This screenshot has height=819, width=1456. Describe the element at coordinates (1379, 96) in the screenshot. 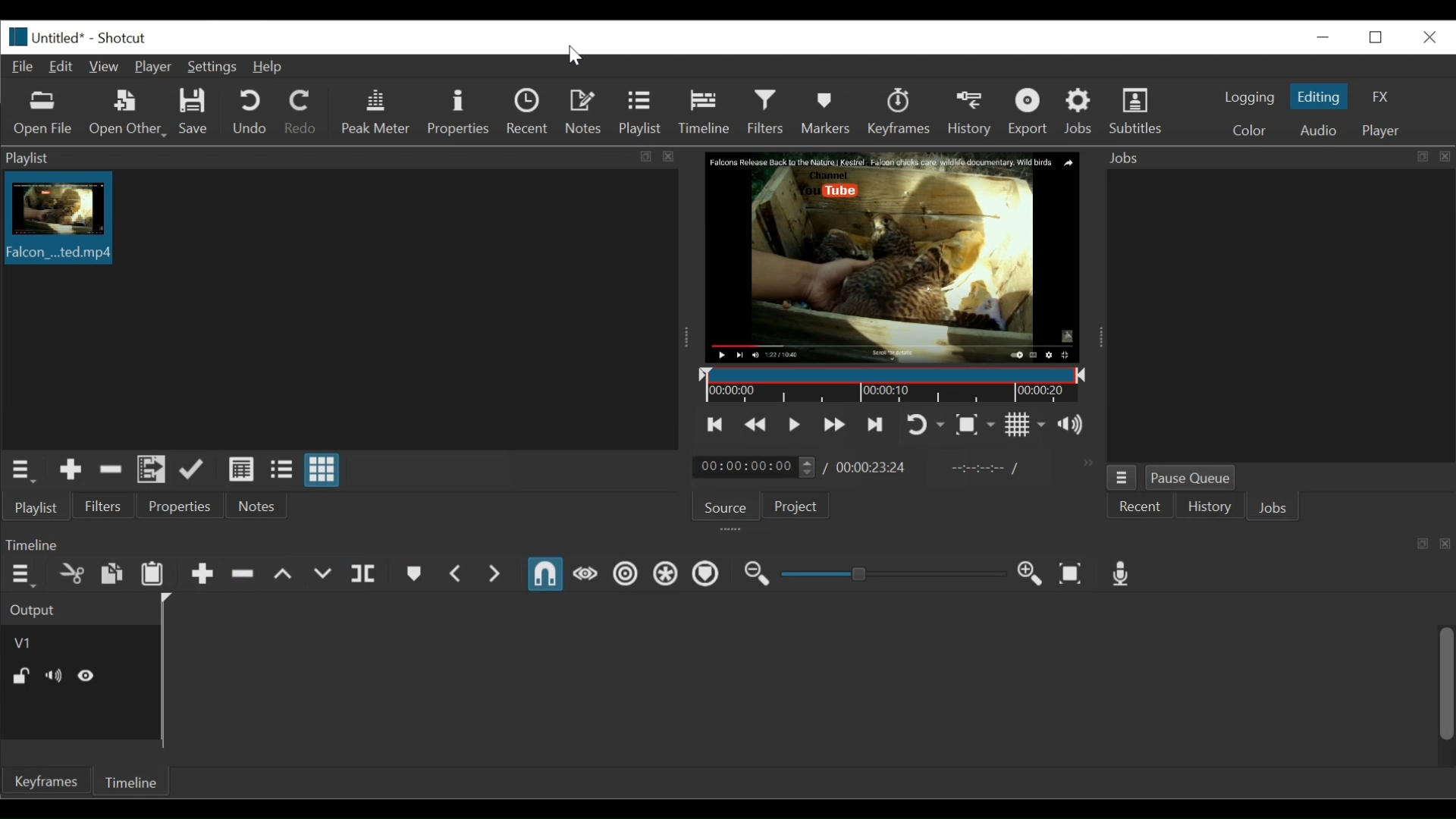

I see `FX` at that location.